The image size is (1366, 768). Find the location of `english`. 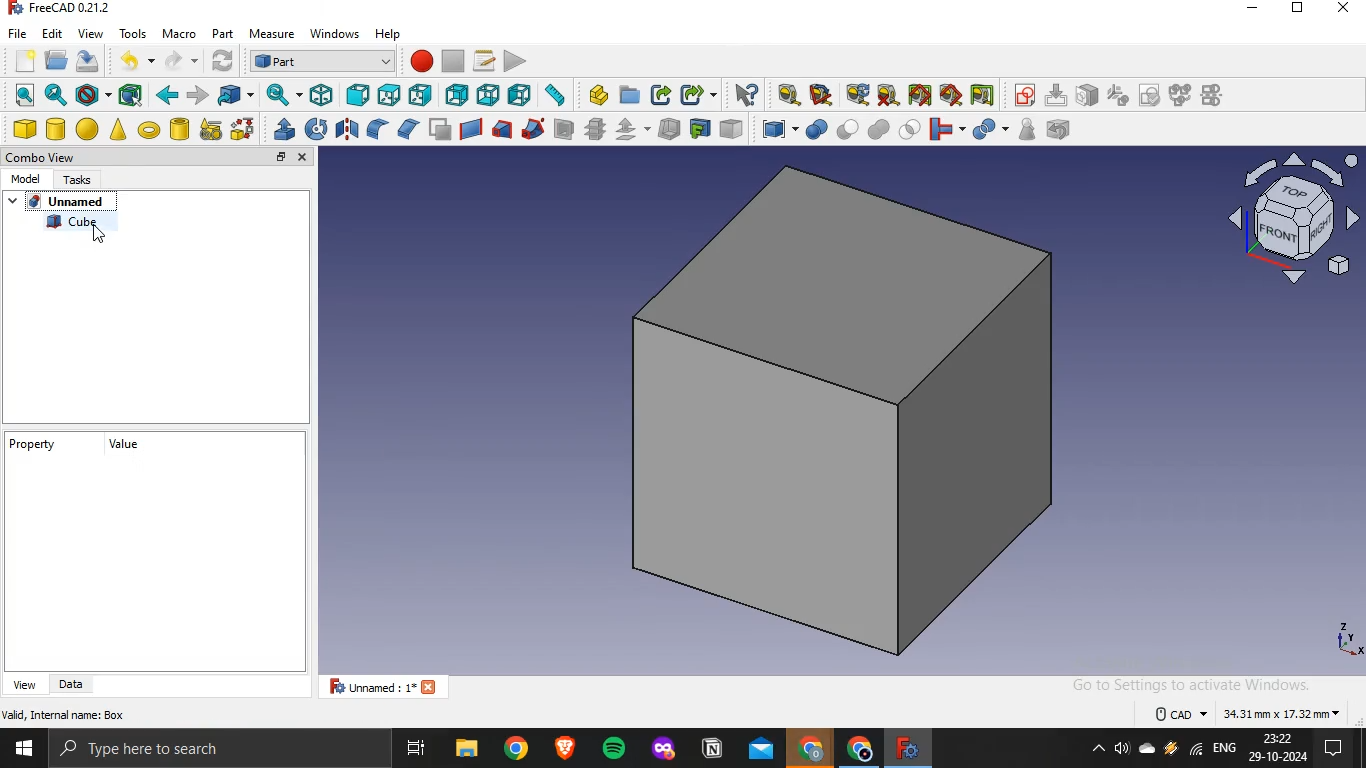

english is located at coordinates (1225, 748).